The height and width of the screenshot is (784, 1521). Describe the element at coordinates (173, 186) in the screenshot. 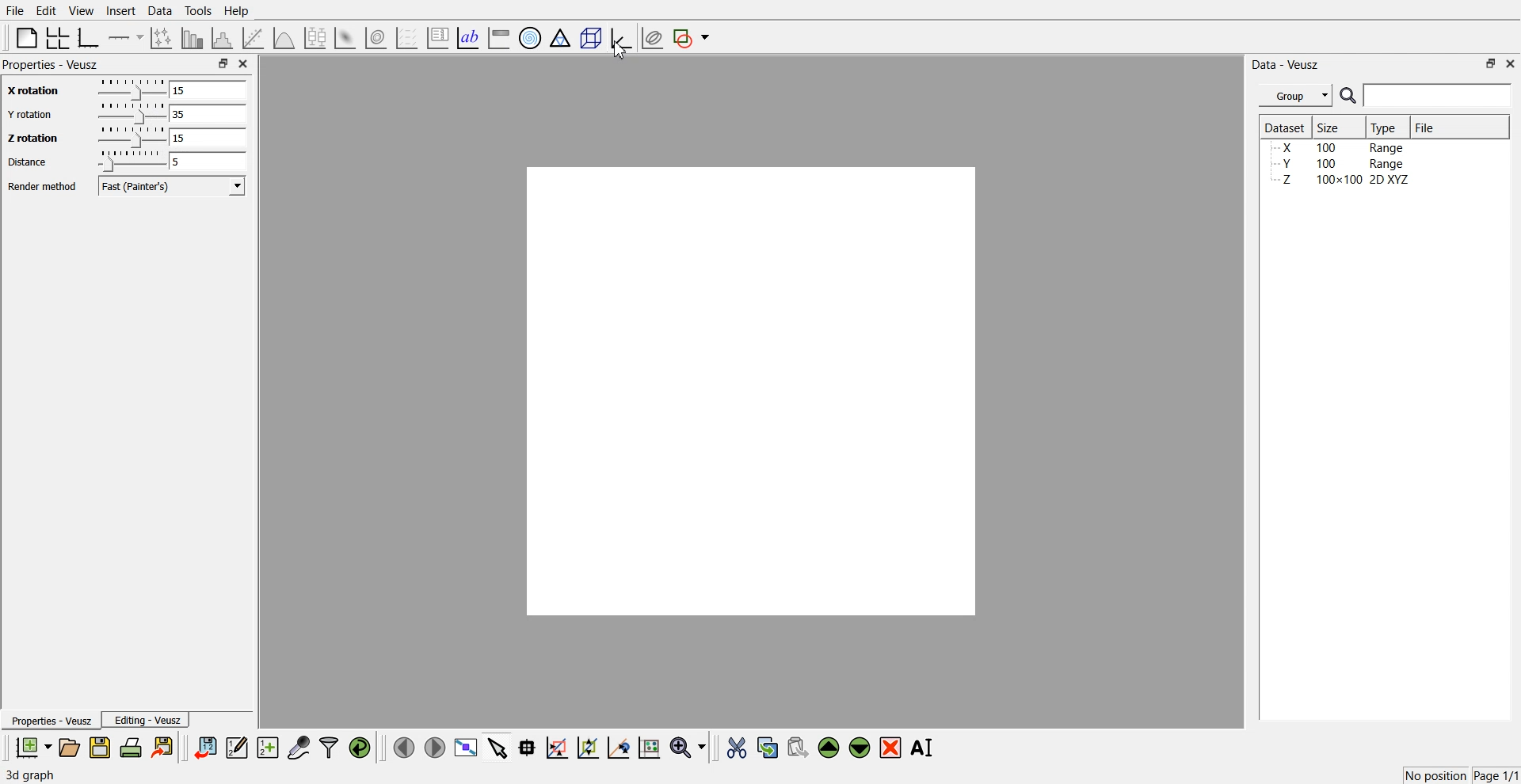

I see `Fast(Painter's)` at that location.